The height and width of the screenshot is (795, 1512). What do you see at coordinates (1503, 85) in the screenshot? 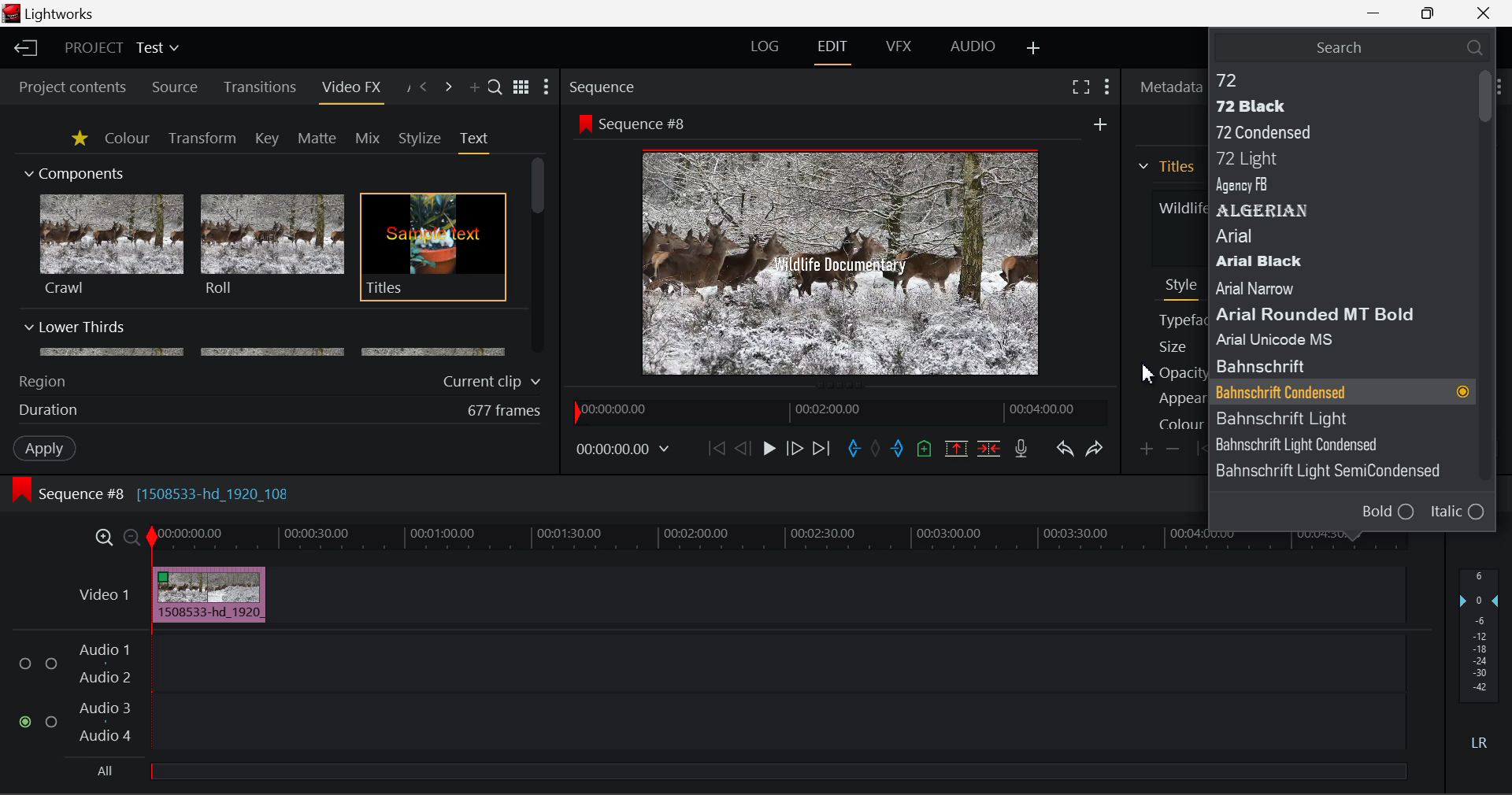
I see `Show Settings` at bounding box center [1503, 85].